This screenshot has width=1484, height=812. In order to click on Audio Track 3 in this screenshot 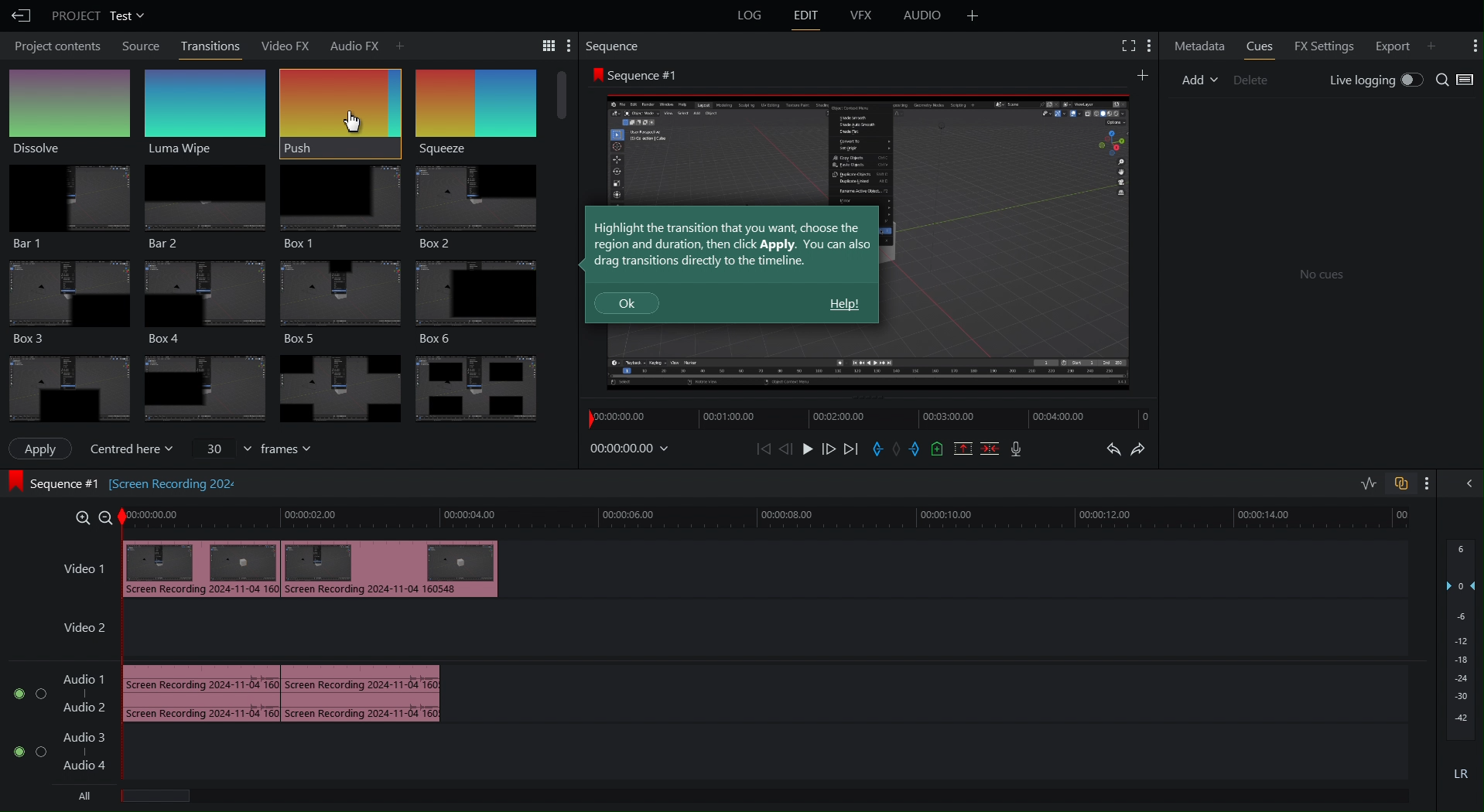, I will do `click(89, 733)`.